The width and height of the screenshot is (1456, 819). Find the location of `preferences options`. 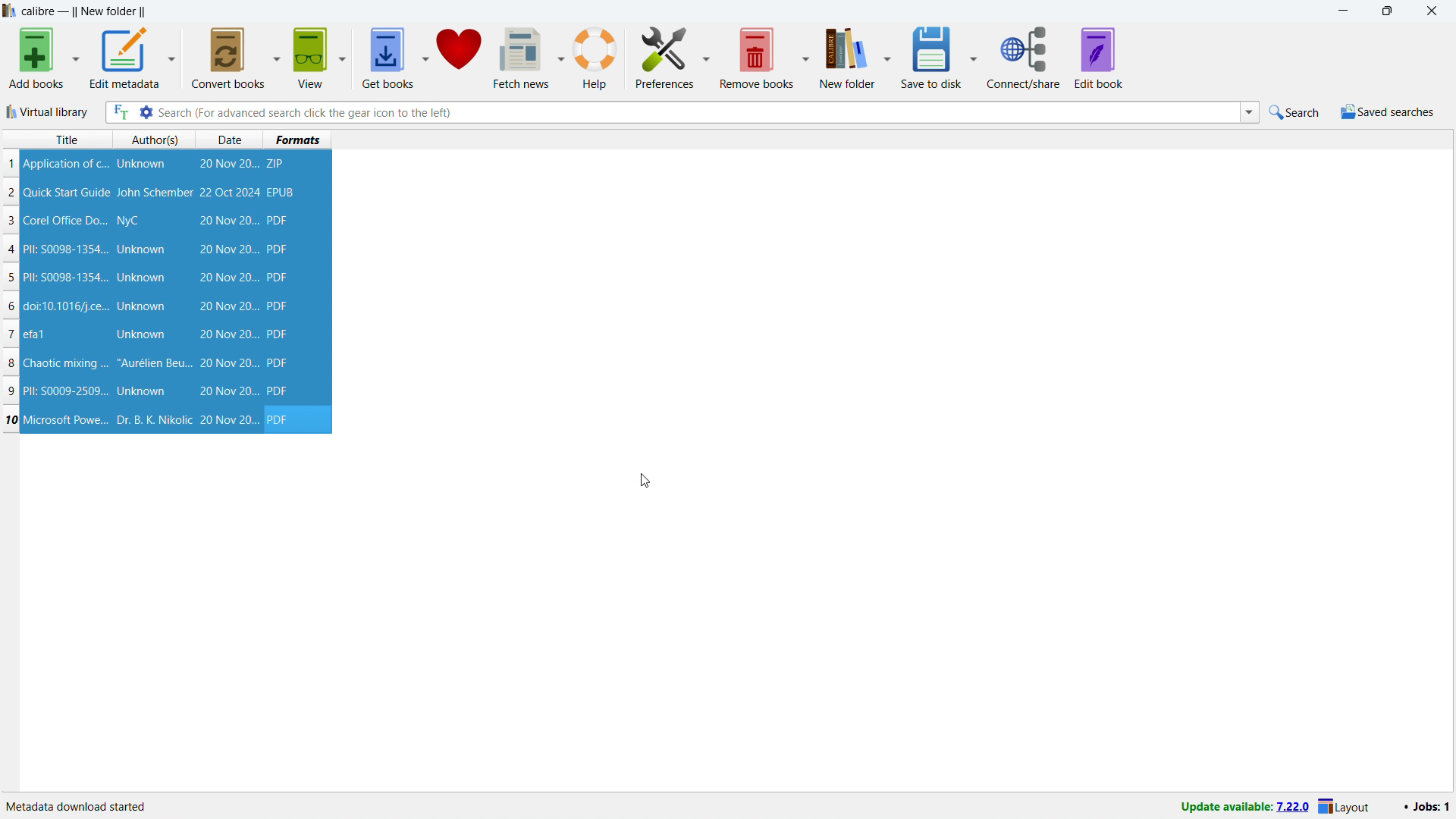

preferences options is located at coordinates (706, 56).